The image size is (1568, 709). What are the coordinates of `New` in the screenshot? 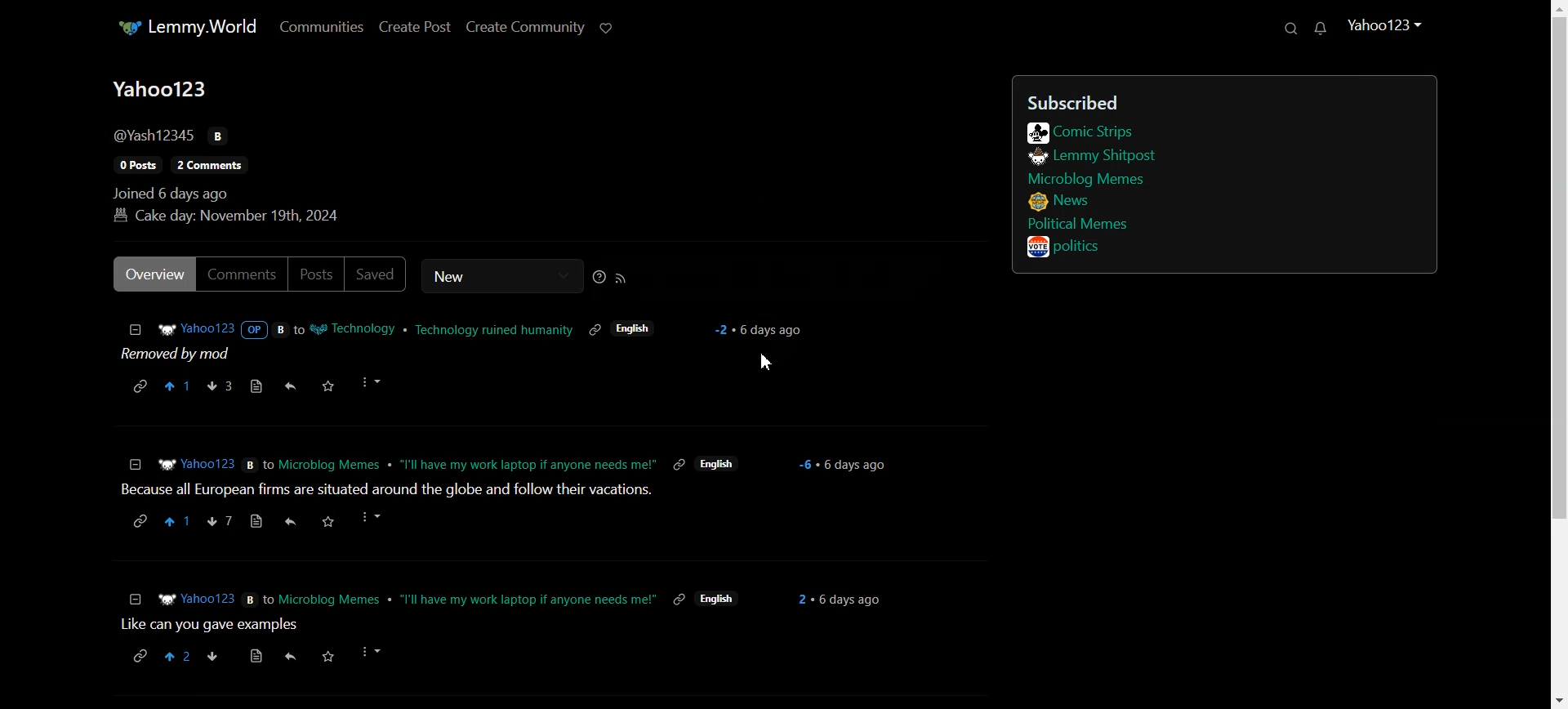 It's located at (501, 276).